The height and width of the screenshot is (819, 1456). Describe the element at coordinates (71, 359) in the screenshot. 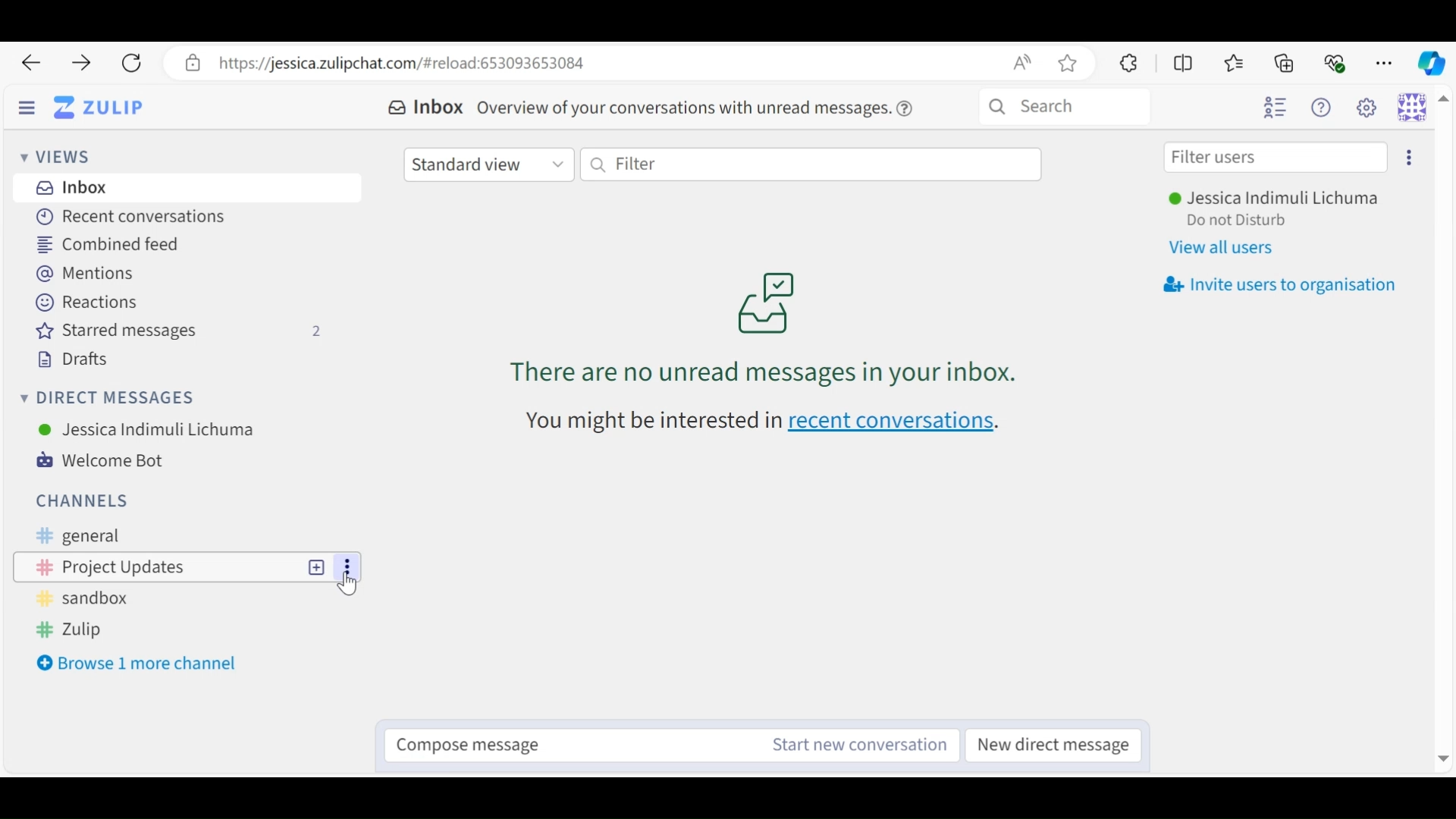

I see `Drafts` at that location.